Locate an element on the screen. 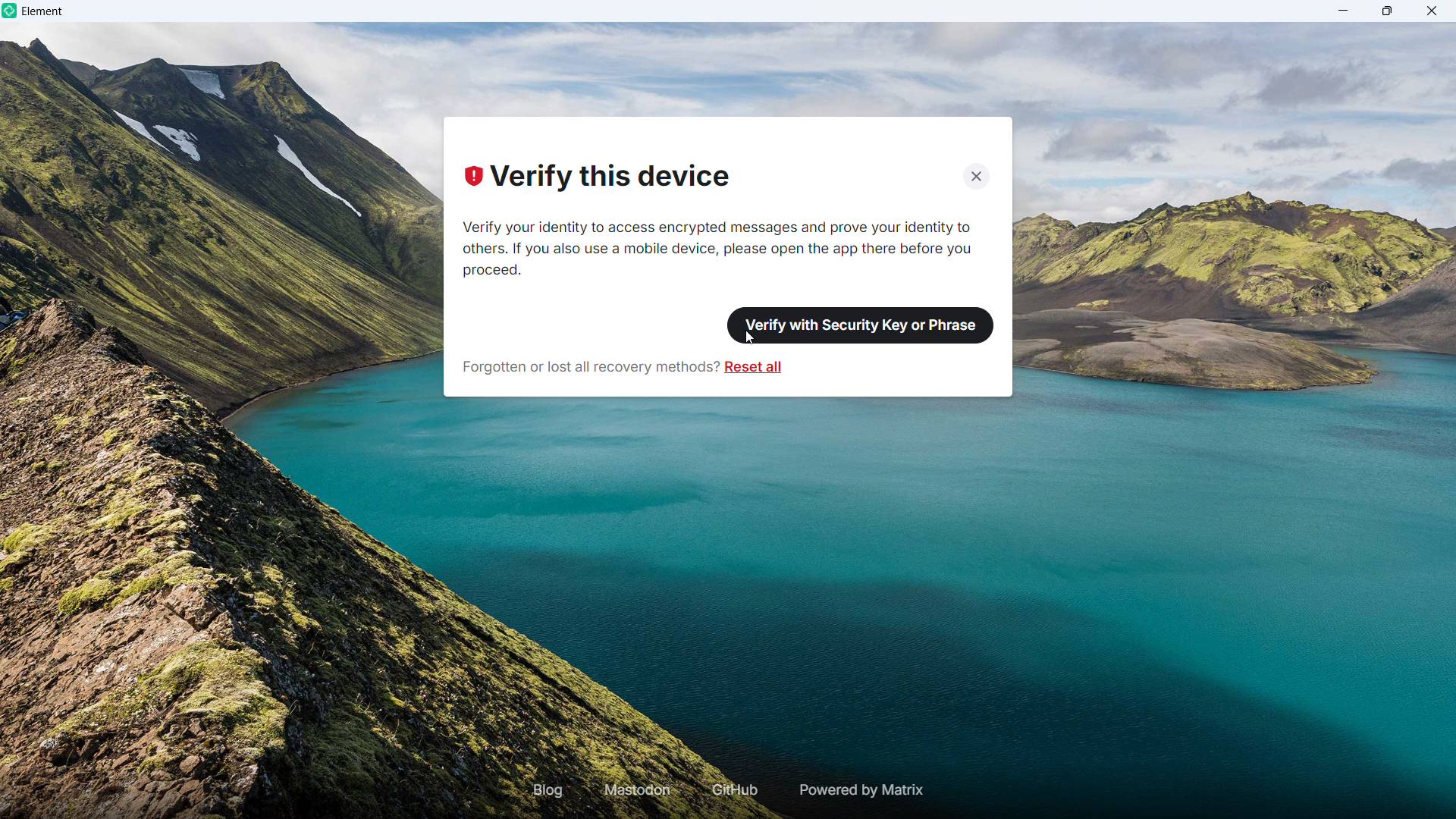 The image size is (1456, 819). close  is located at coordinates (1431, 11).